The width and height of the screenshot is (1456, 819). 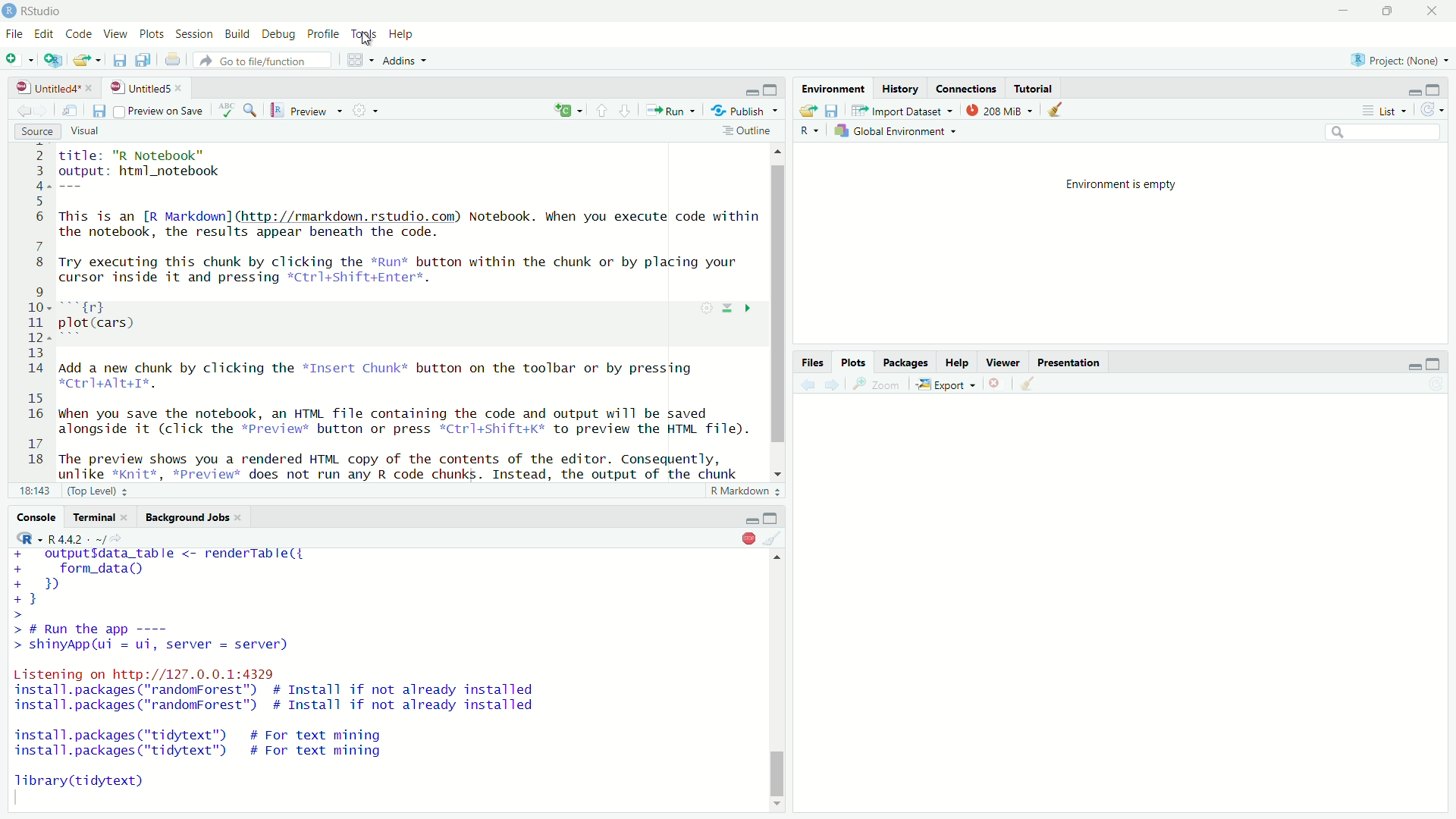 What do you see at coordinates (626, 111) in the screenshot?
I see `up` at bounding box center [626, 111].